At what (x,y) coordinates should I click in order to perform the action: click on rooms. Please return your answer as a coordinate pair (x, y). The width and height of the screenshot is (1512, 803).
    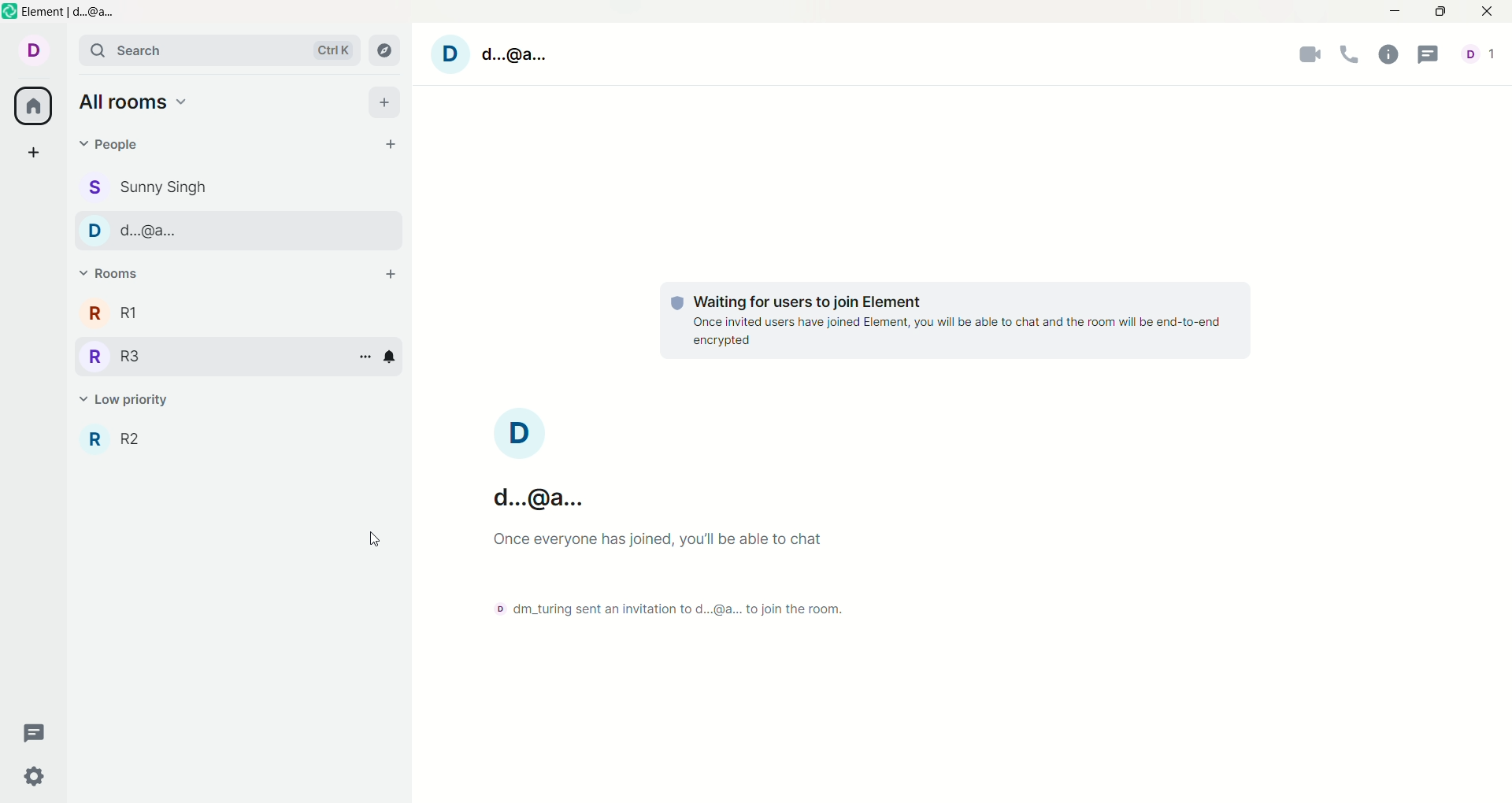
    Looking at the image, I should click on (115, 276).